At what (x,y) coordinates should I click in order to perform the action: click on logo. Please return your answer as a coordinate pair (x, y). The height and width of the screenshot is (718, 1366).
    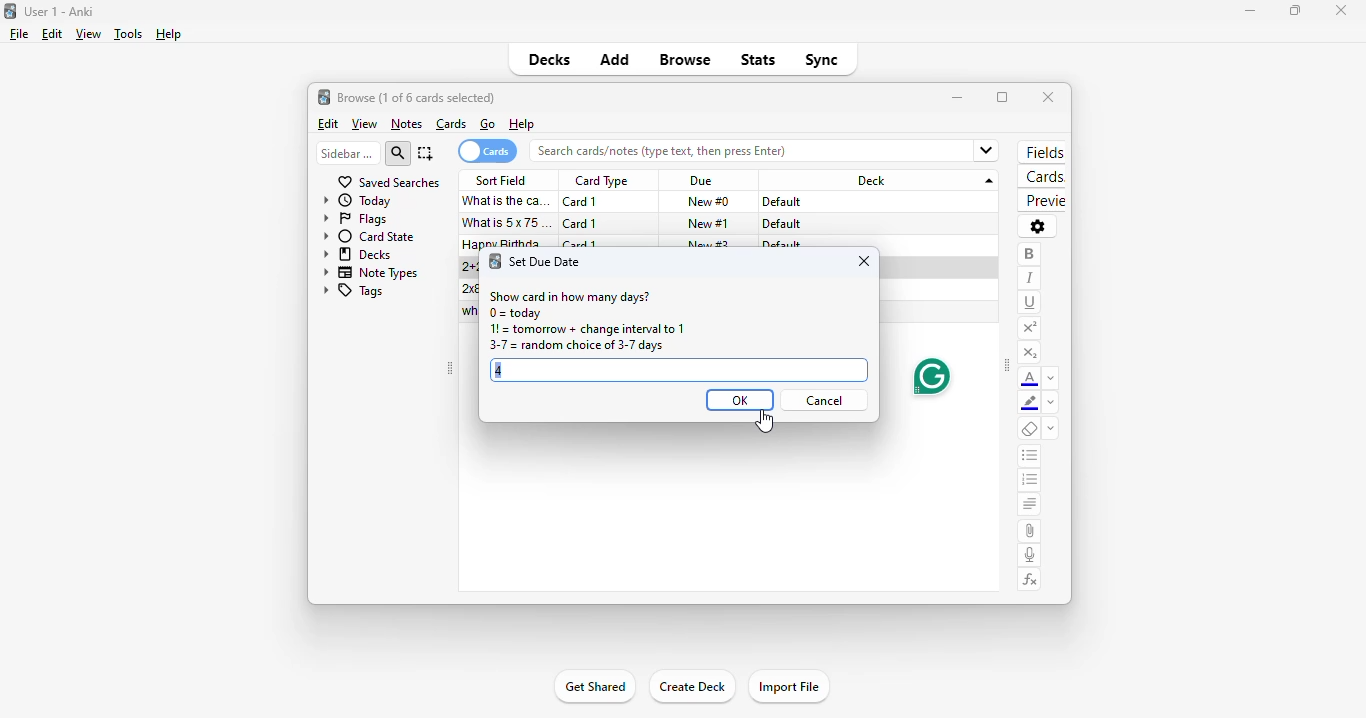
    Looking at the image, I should click on (324, 97).